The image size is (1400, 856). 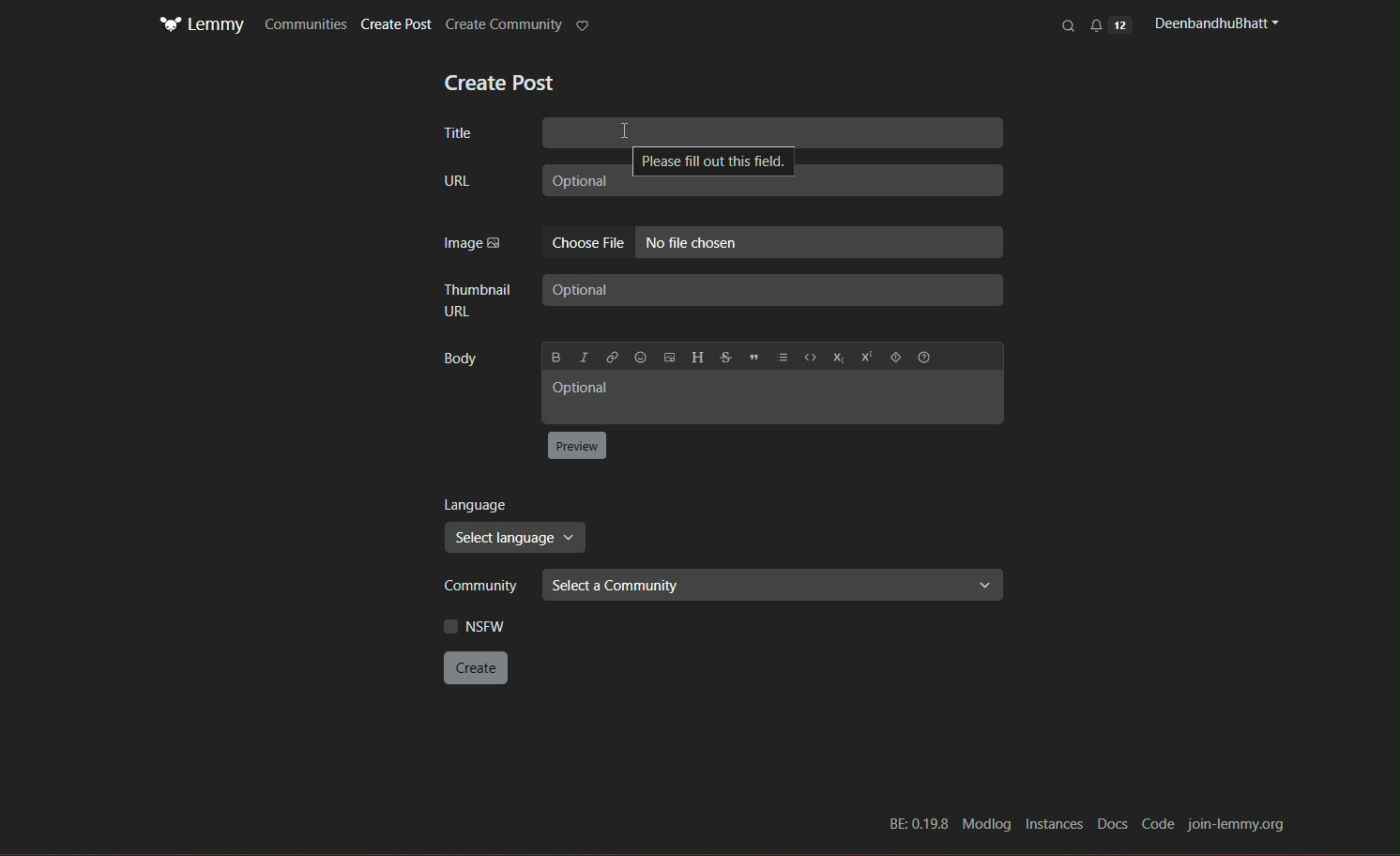 What do you see at coordinates (306, 23) in the screenshot?
I see `Communities` at bounding box center [306, 23].